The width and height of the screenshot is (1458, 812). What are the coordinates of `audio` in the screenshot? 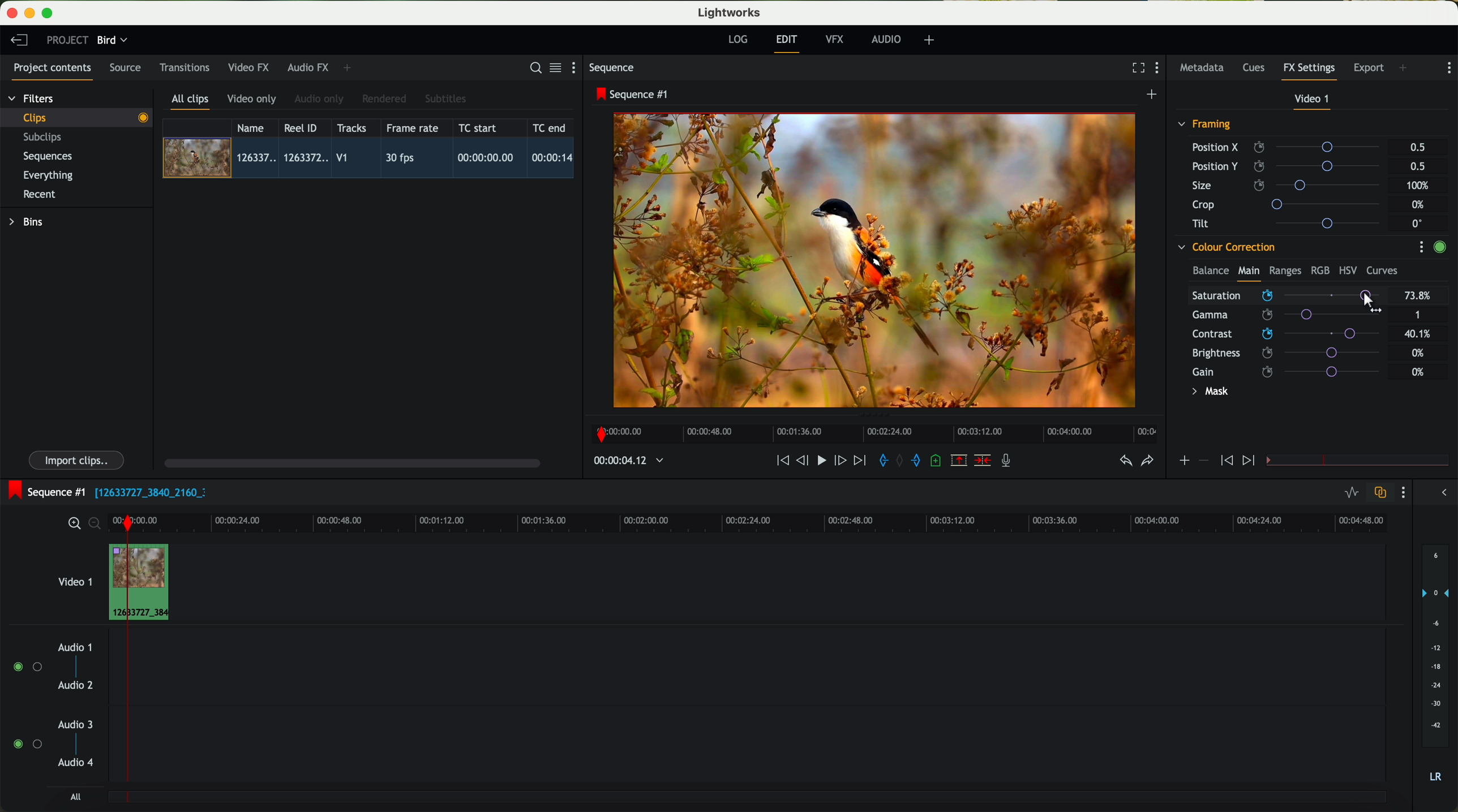 It's located at (886, 39).